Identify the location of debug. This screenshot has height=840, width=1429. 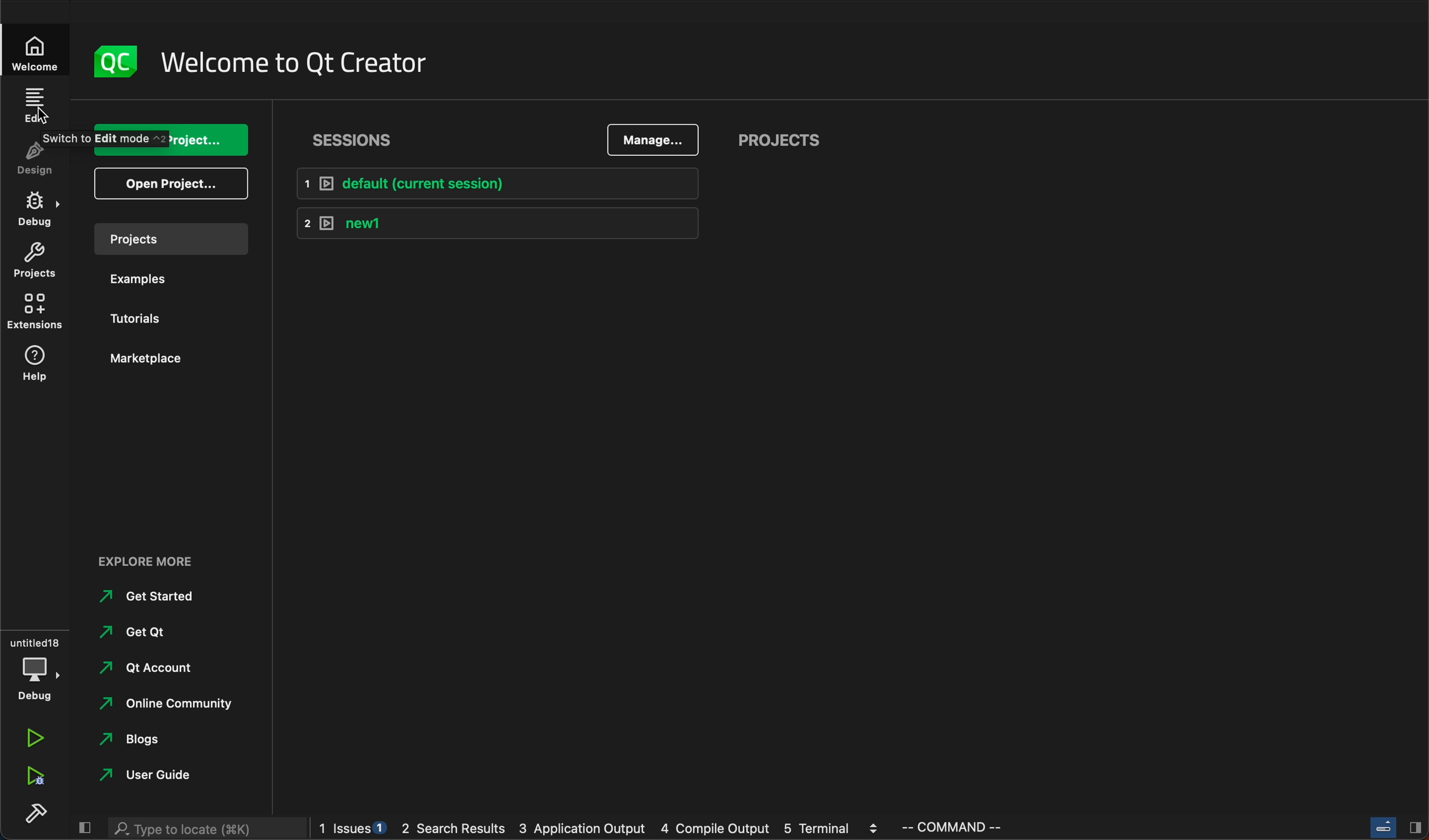
(36, 667).